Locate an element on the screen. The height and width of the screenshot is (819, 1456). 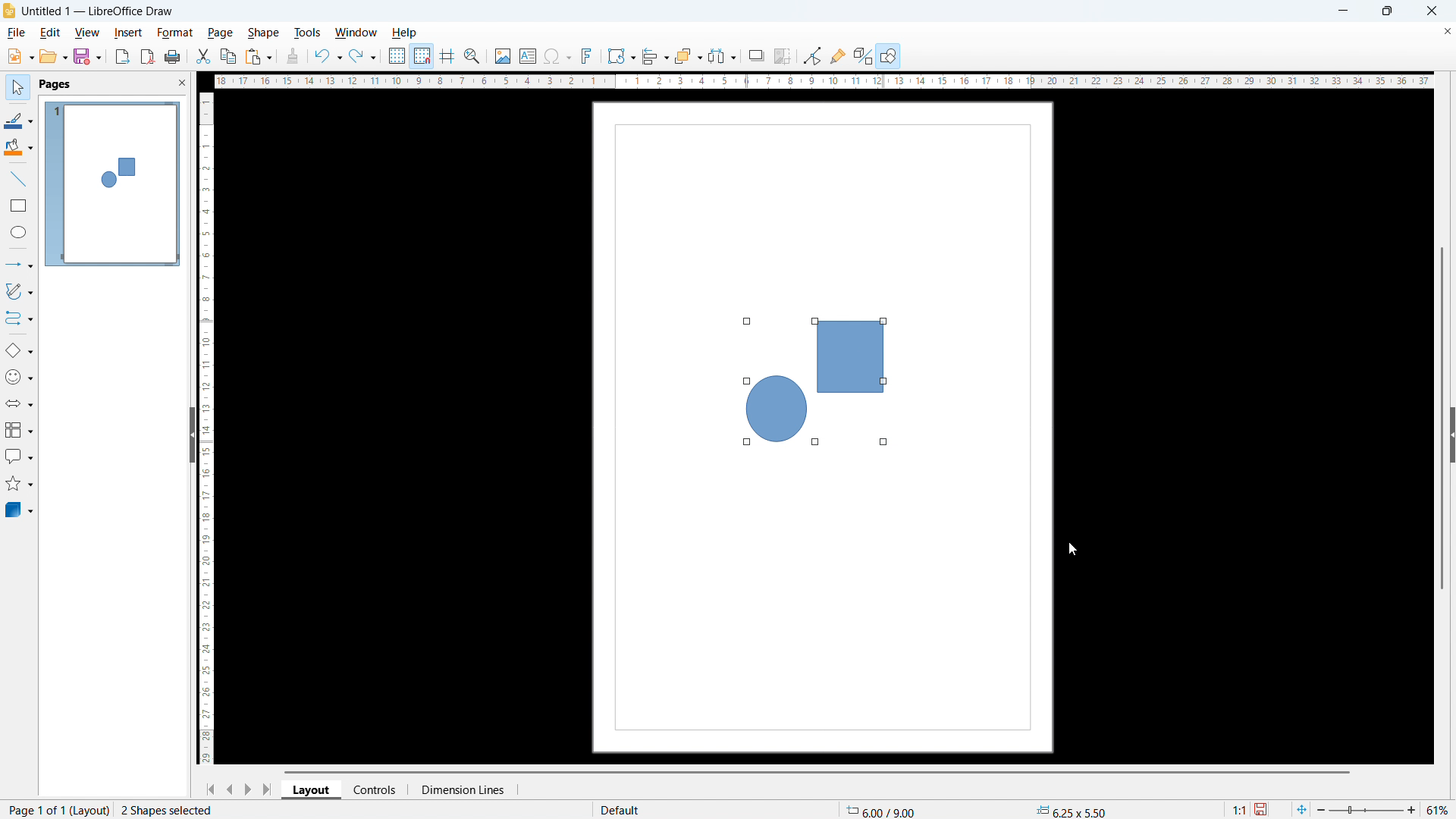
view is located at coordinates (87, 33).